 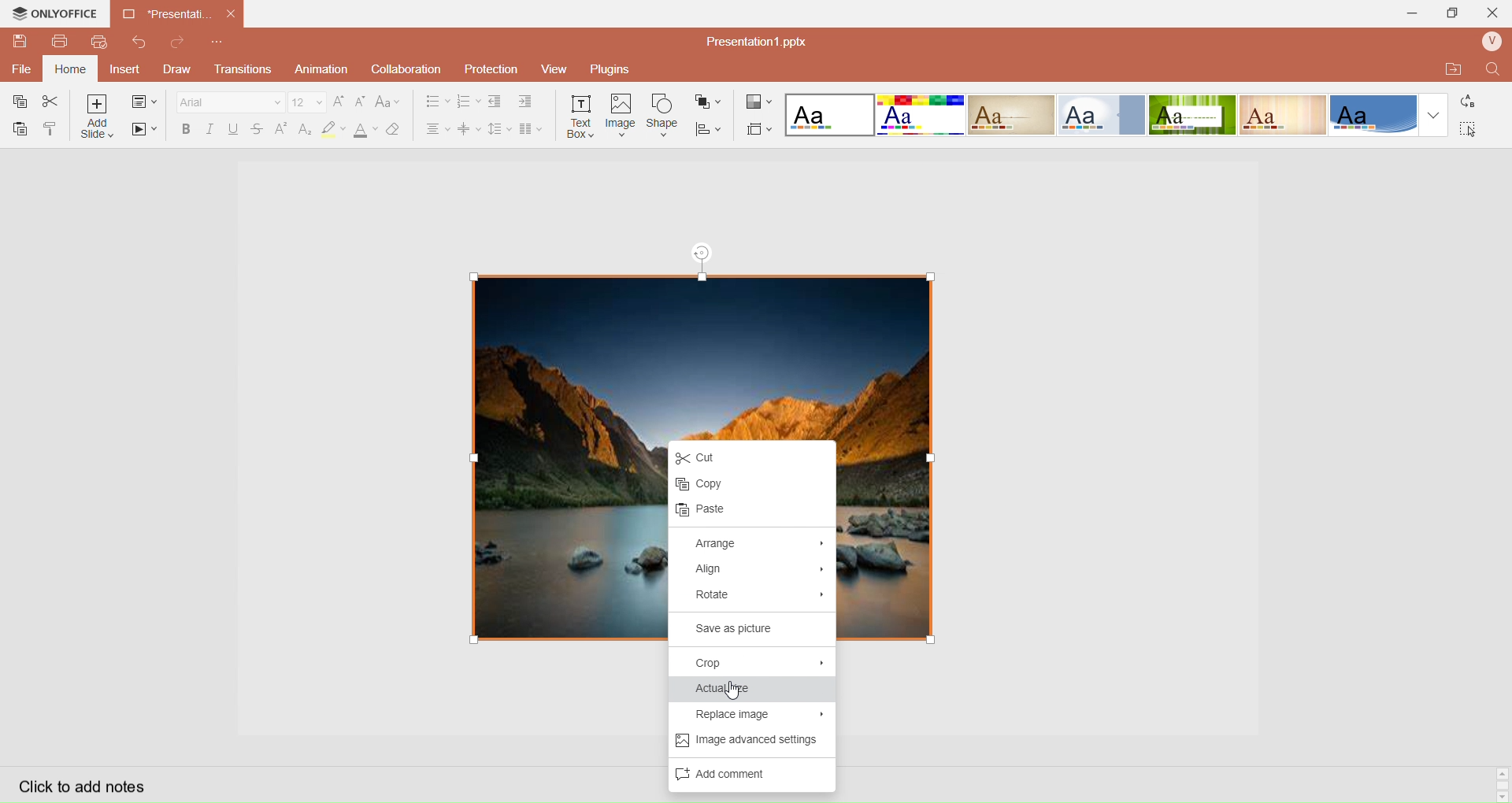 I want to click on Rotate, so click(x=761, y=593).